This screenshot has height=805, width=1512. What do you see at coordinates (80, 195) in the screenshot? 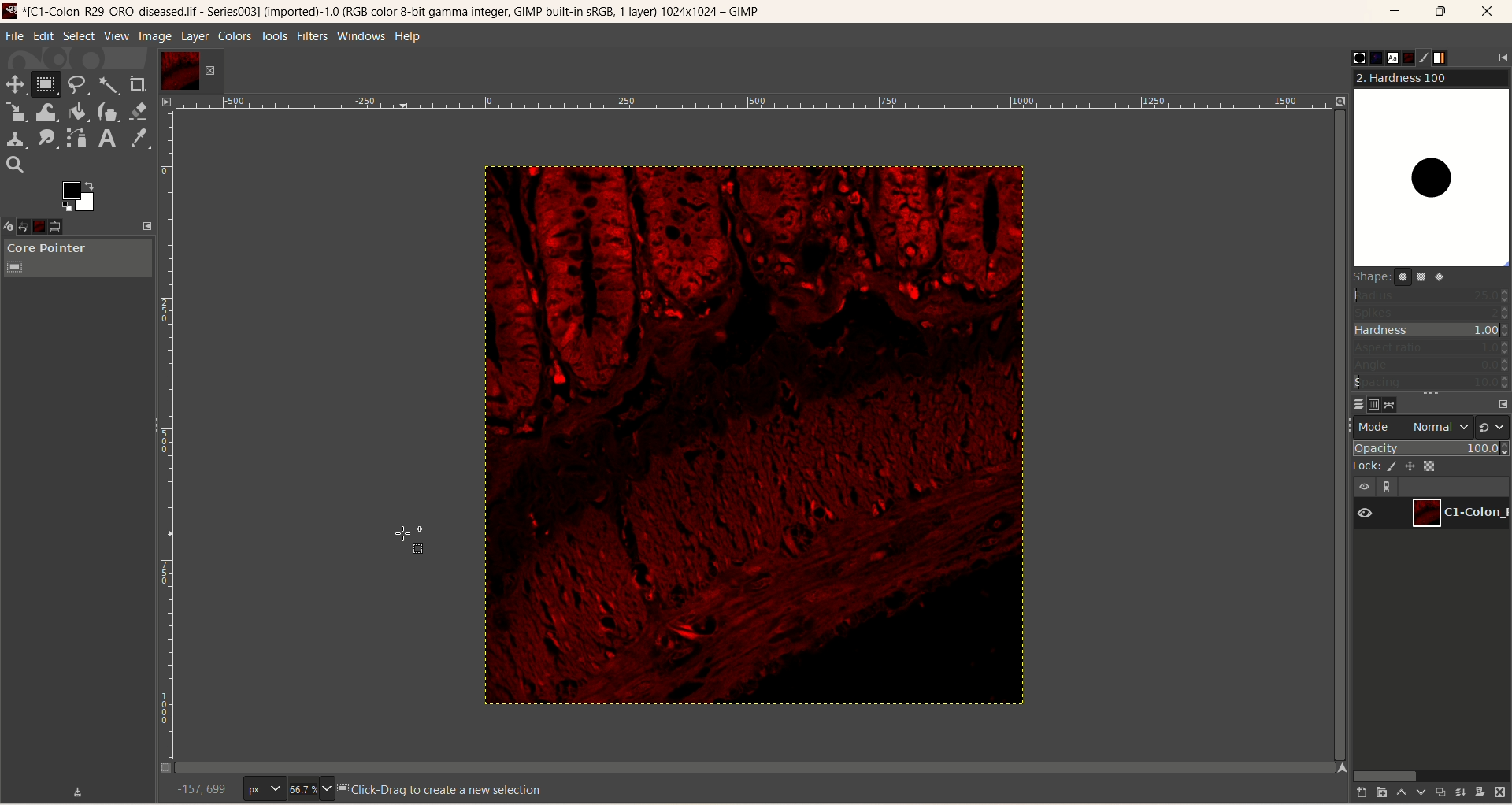
I see `active foreground` at bounding box center [80, 195].